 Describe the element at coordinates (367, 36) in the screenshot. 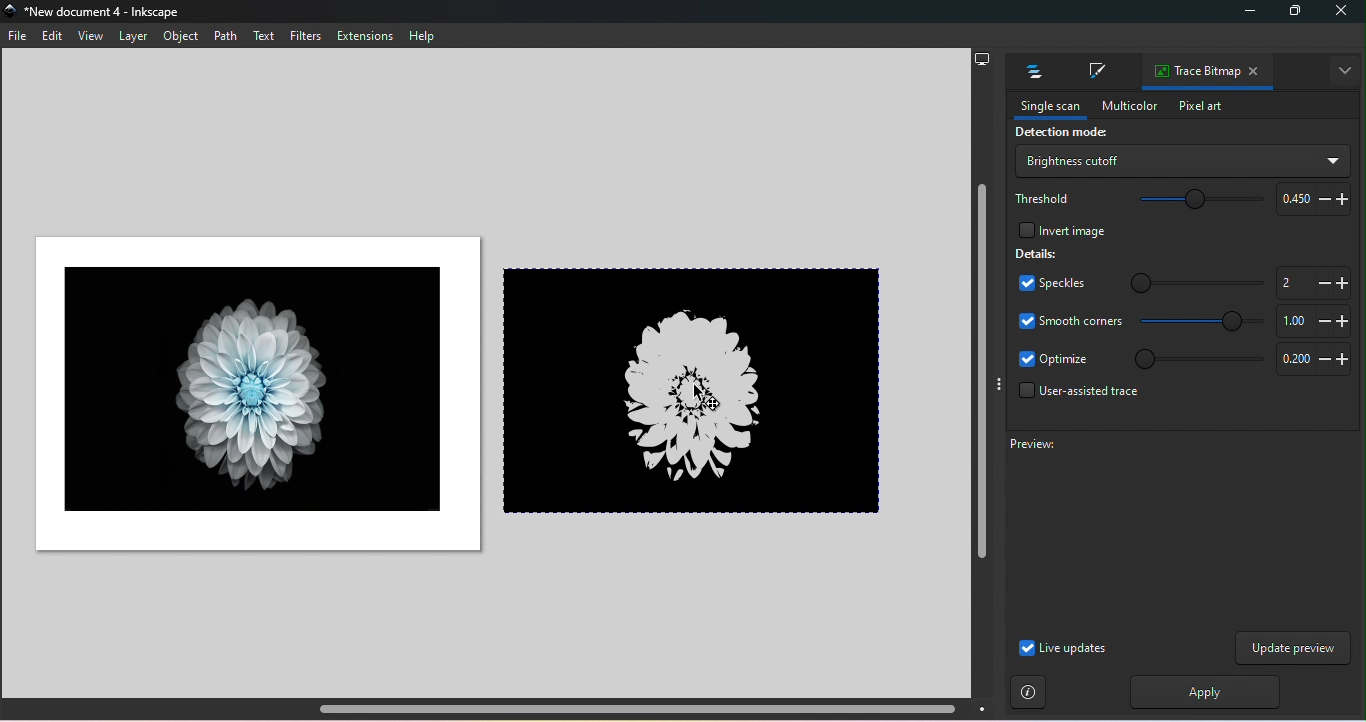

I see `Extensions` at that location.